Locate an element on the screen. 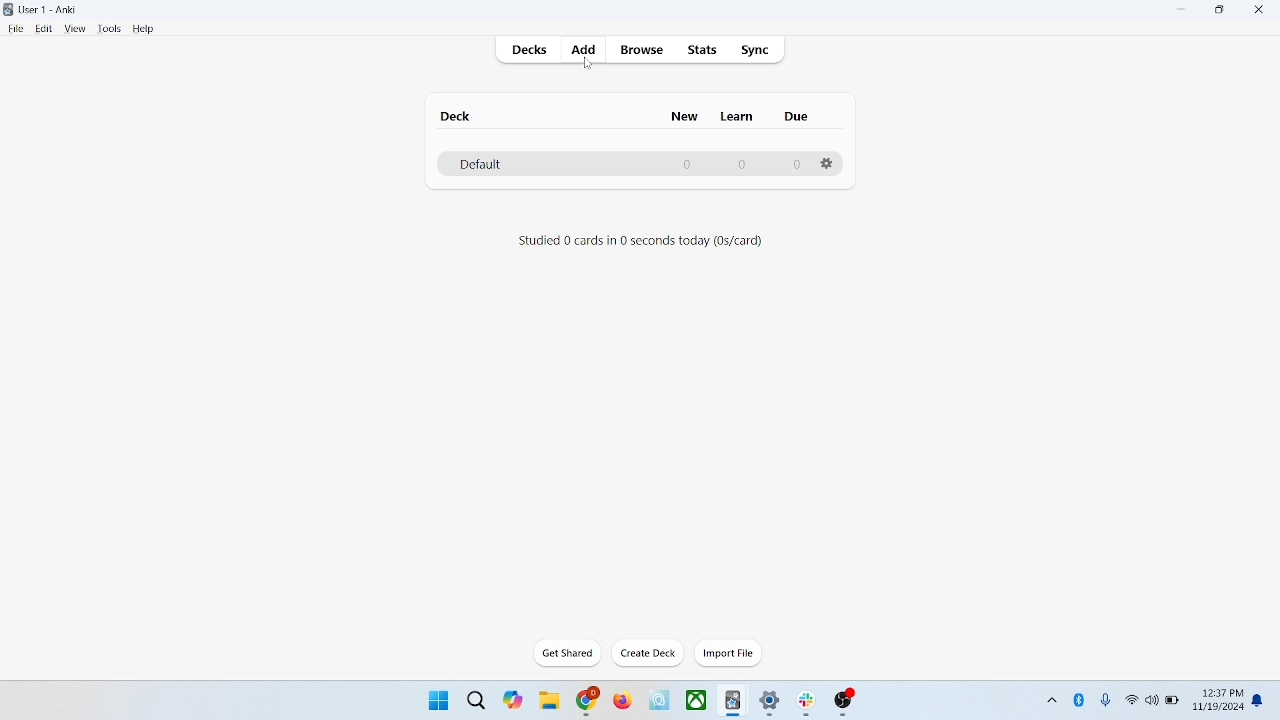 The height and width of the screenshot is (720, 1280). deck is located at coordinates (458, 116).